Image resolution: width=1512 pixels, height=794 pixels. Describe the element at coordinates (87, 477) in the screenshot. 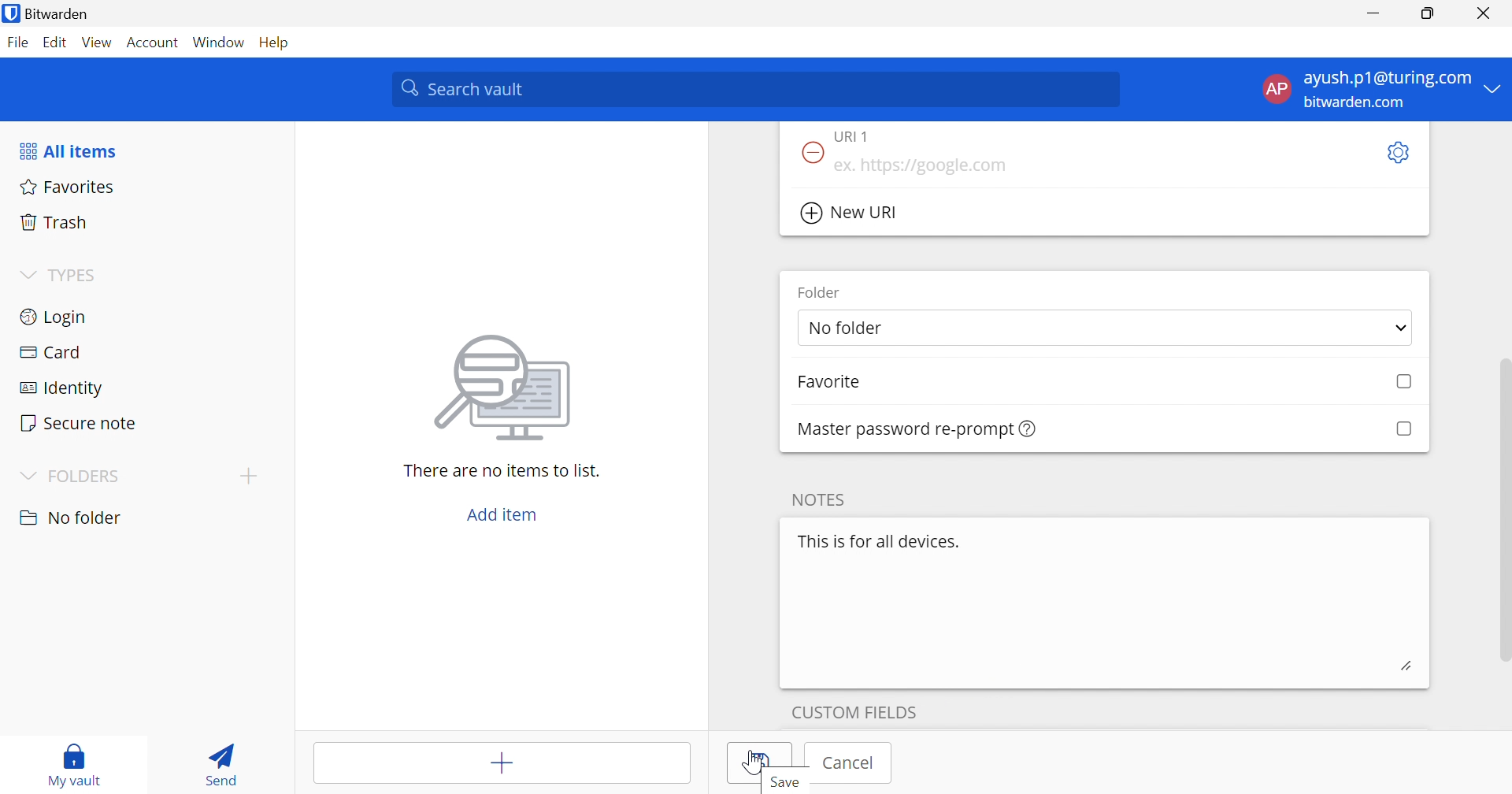

I see `FOLDERS` at that location.